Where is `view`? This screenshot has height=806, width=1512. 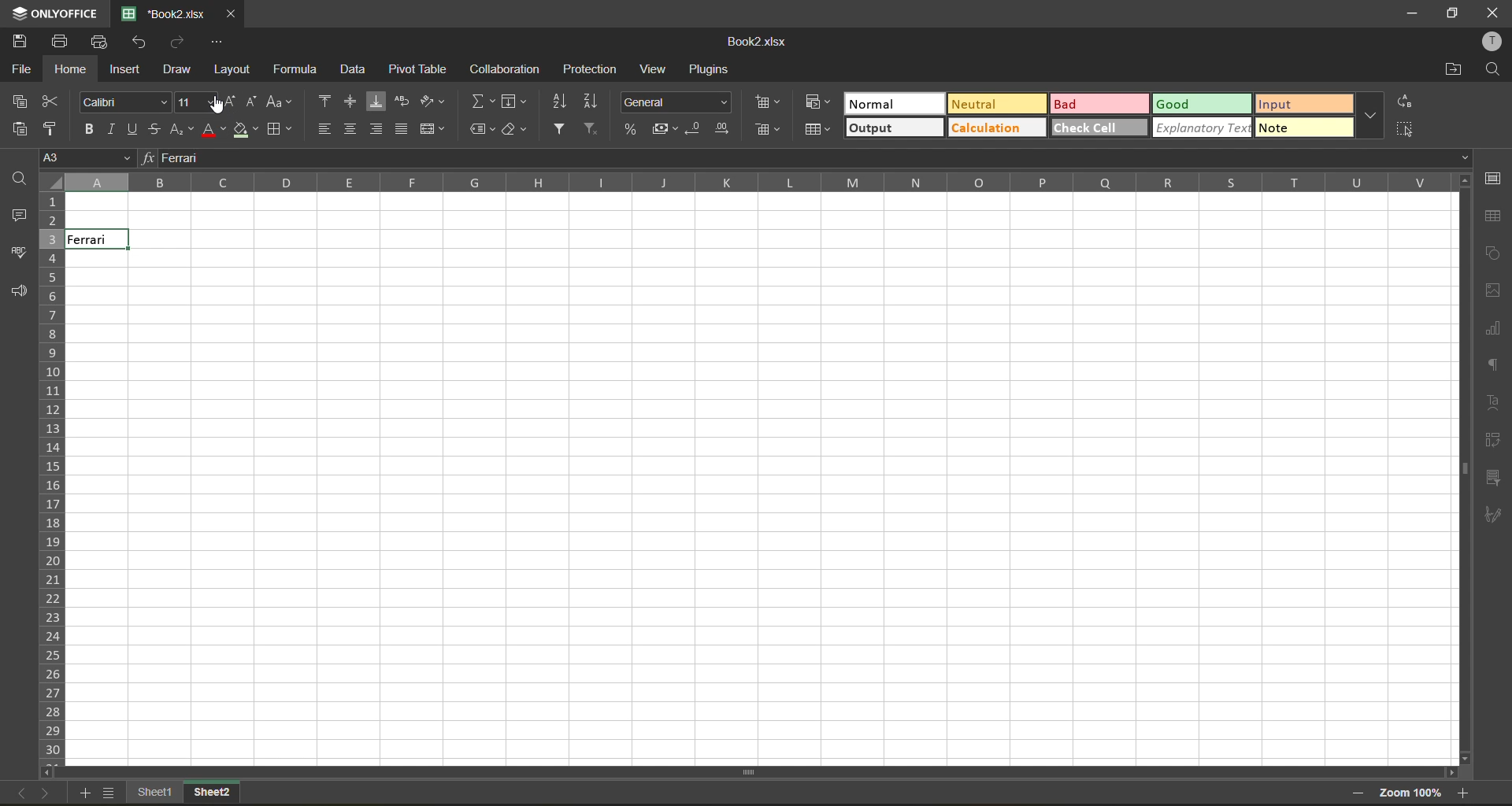 view is located at coordinates (656, 70).